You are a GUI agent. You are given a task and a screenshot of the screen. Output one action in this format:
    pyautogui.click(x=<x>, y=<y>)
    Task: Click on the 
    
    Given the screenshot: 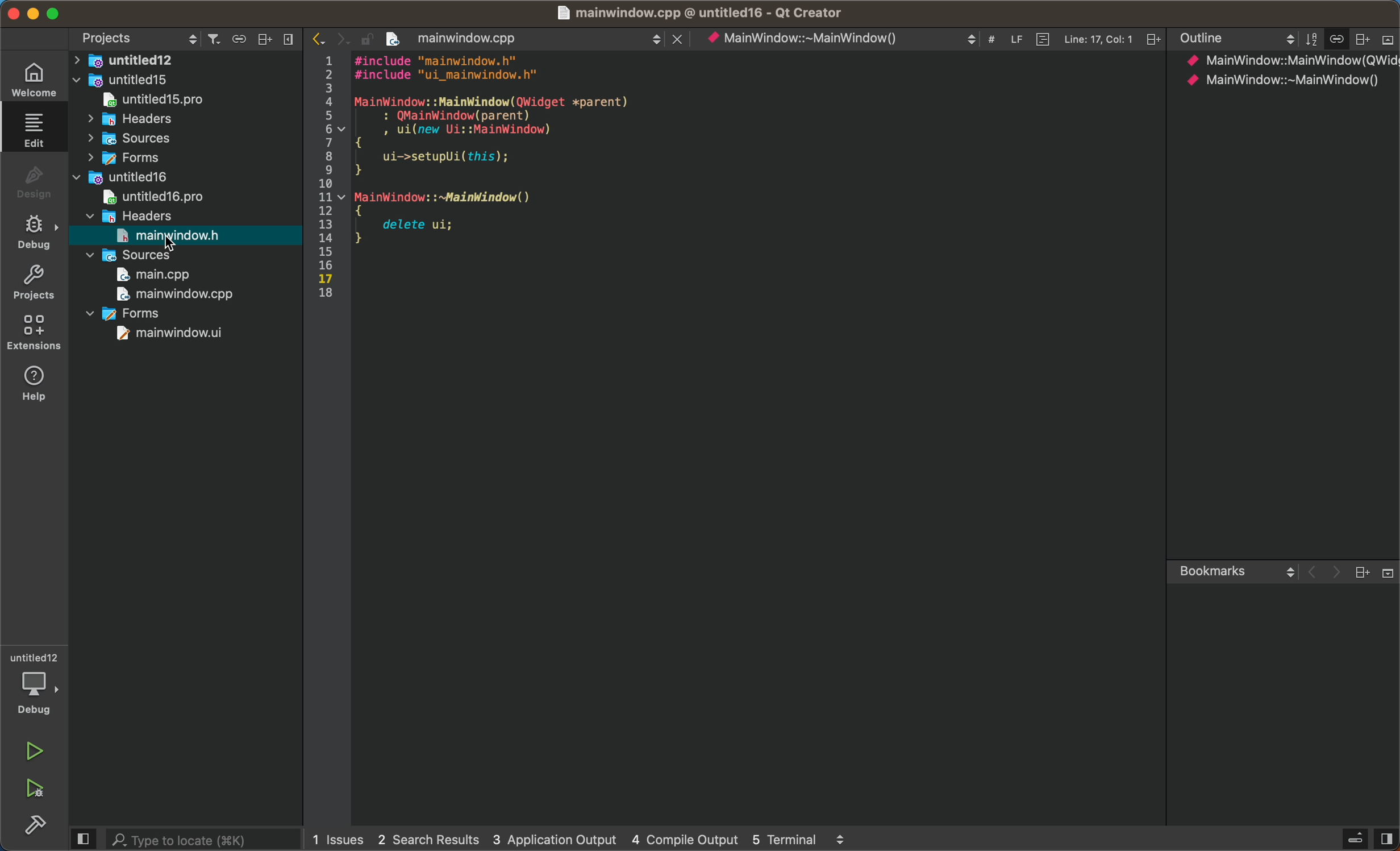 What is the action you would take?
    pyautogui.click(x=578, y=839)
    